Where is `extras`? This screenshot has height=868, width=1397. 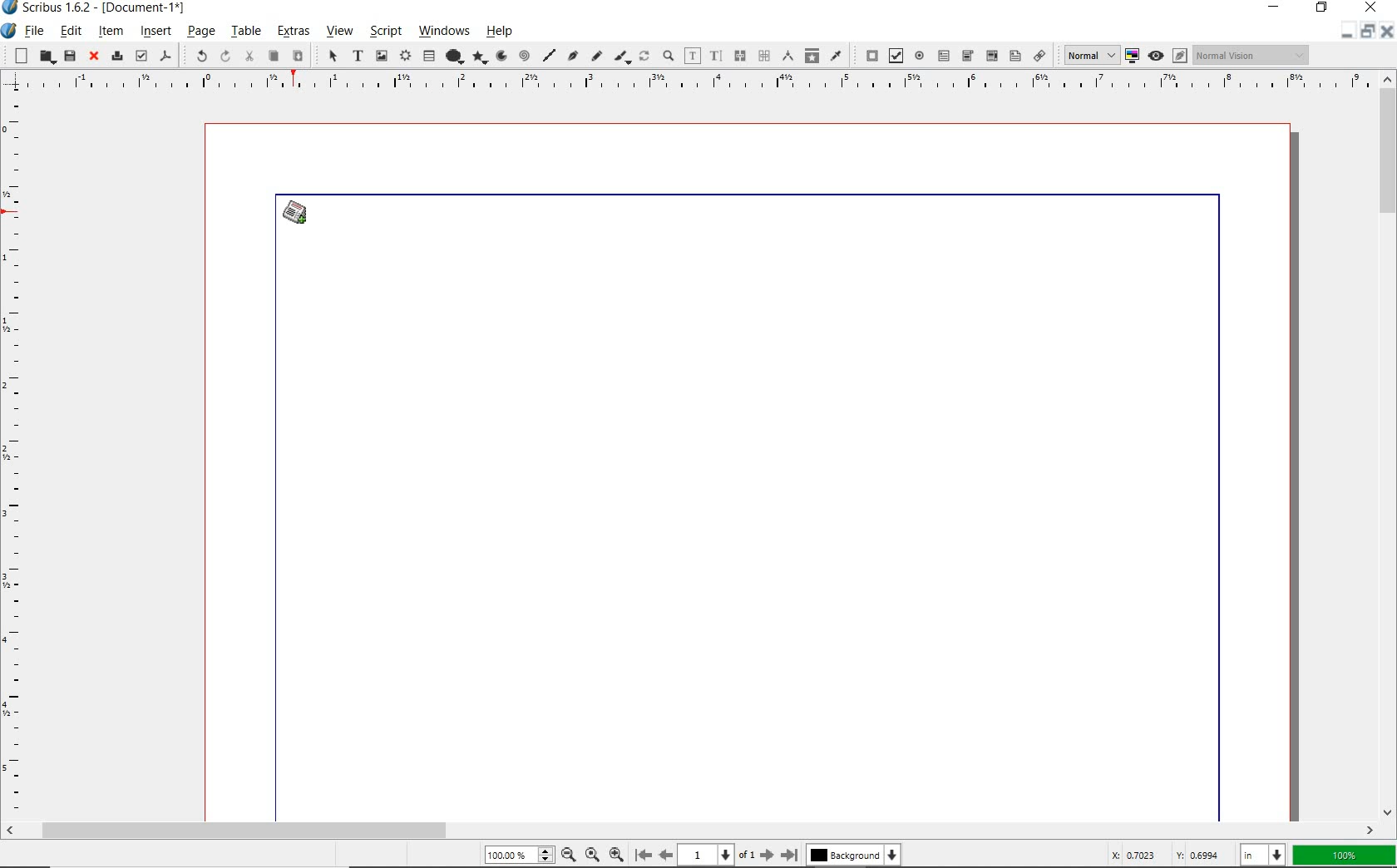
extras is located at coordinates (293, 31).